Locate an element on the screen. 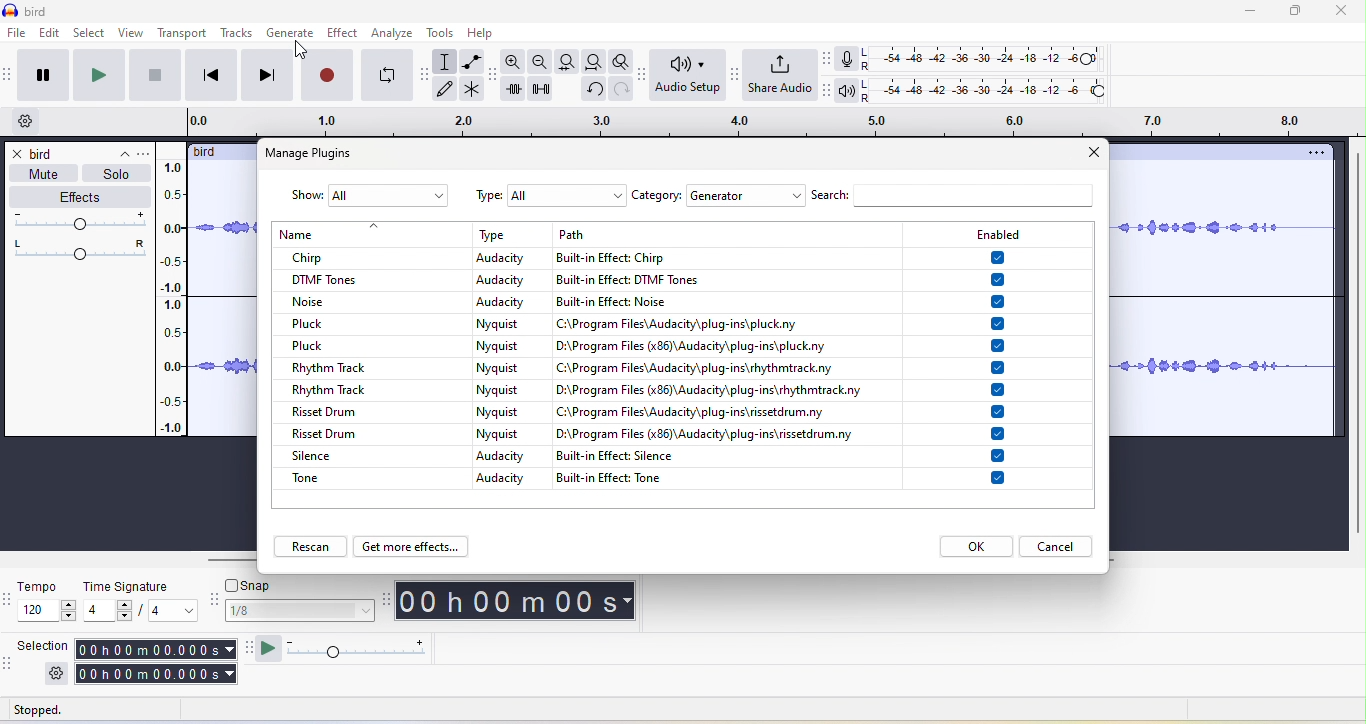 The height and width of the screenshot is (724, 1366). record meter is located at coordinates (849, 60).